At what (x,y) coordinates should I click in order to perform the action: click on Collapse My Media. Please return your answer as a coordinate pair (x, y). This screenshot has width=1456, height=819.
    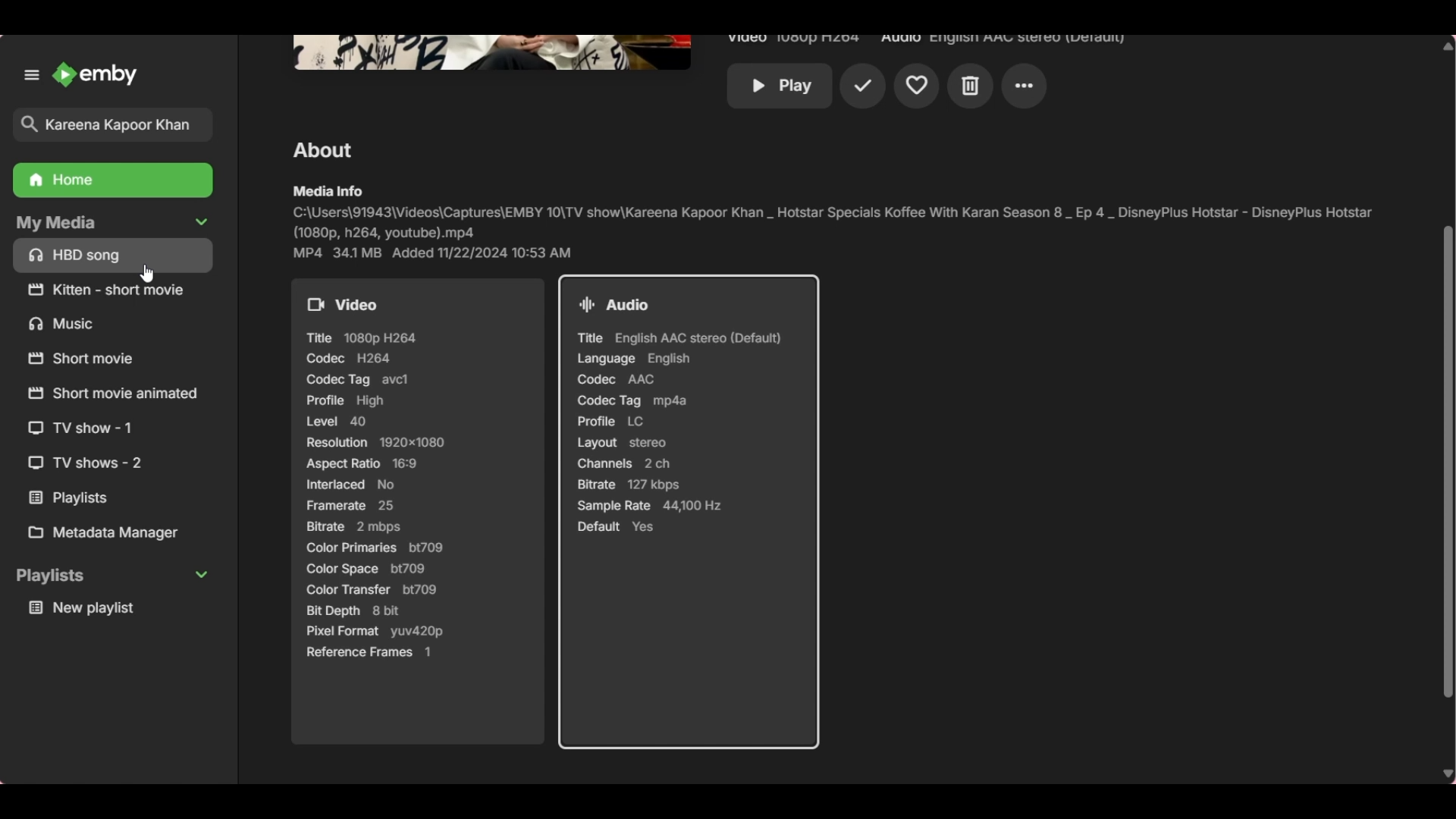
    Looking at the image, I should click on (113, 224).